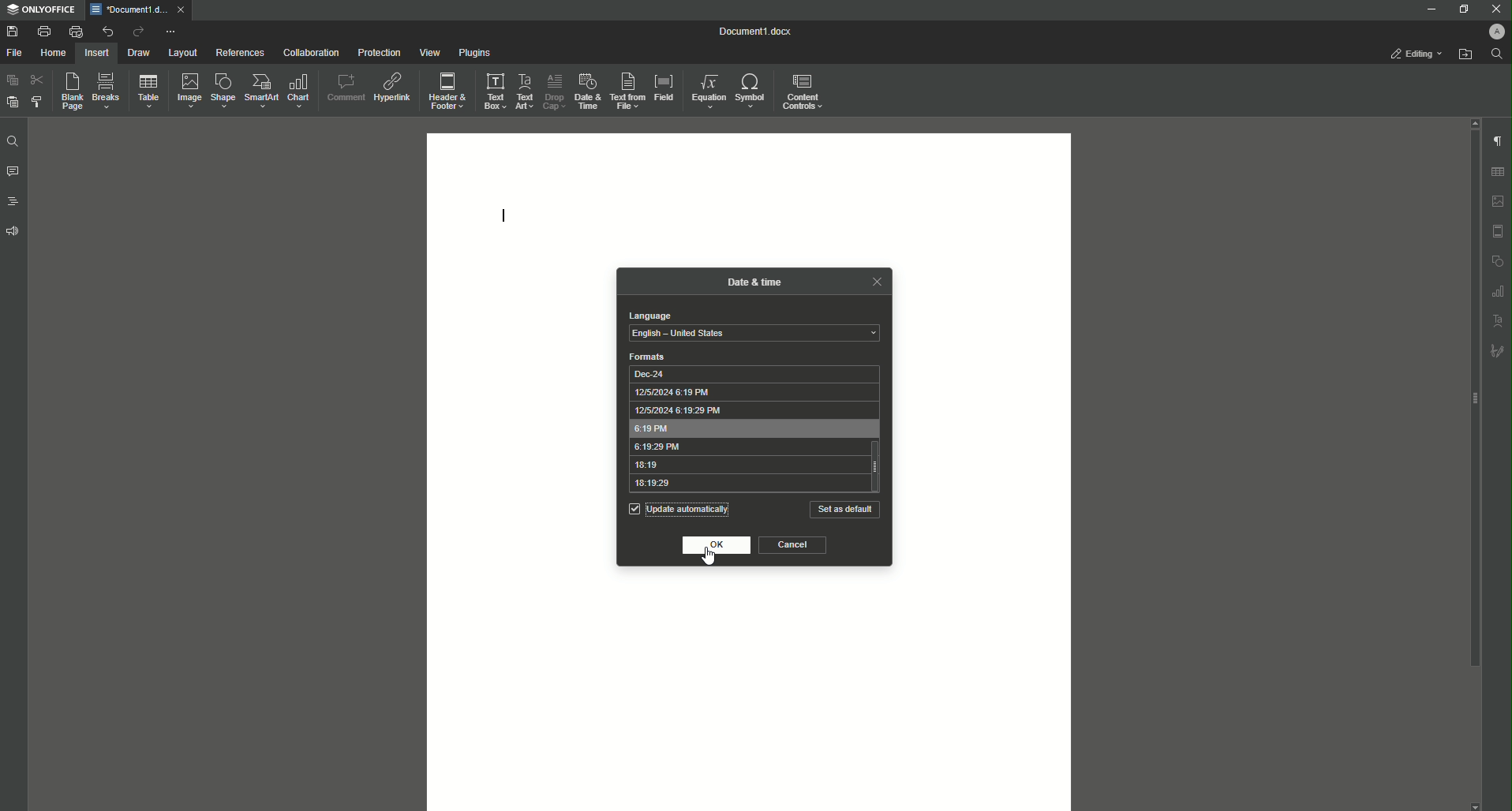 This screenshot has height=811, width=1512. Describe the element at coordinates (12, 200) in the screenshot. I see `Headings` at that location.